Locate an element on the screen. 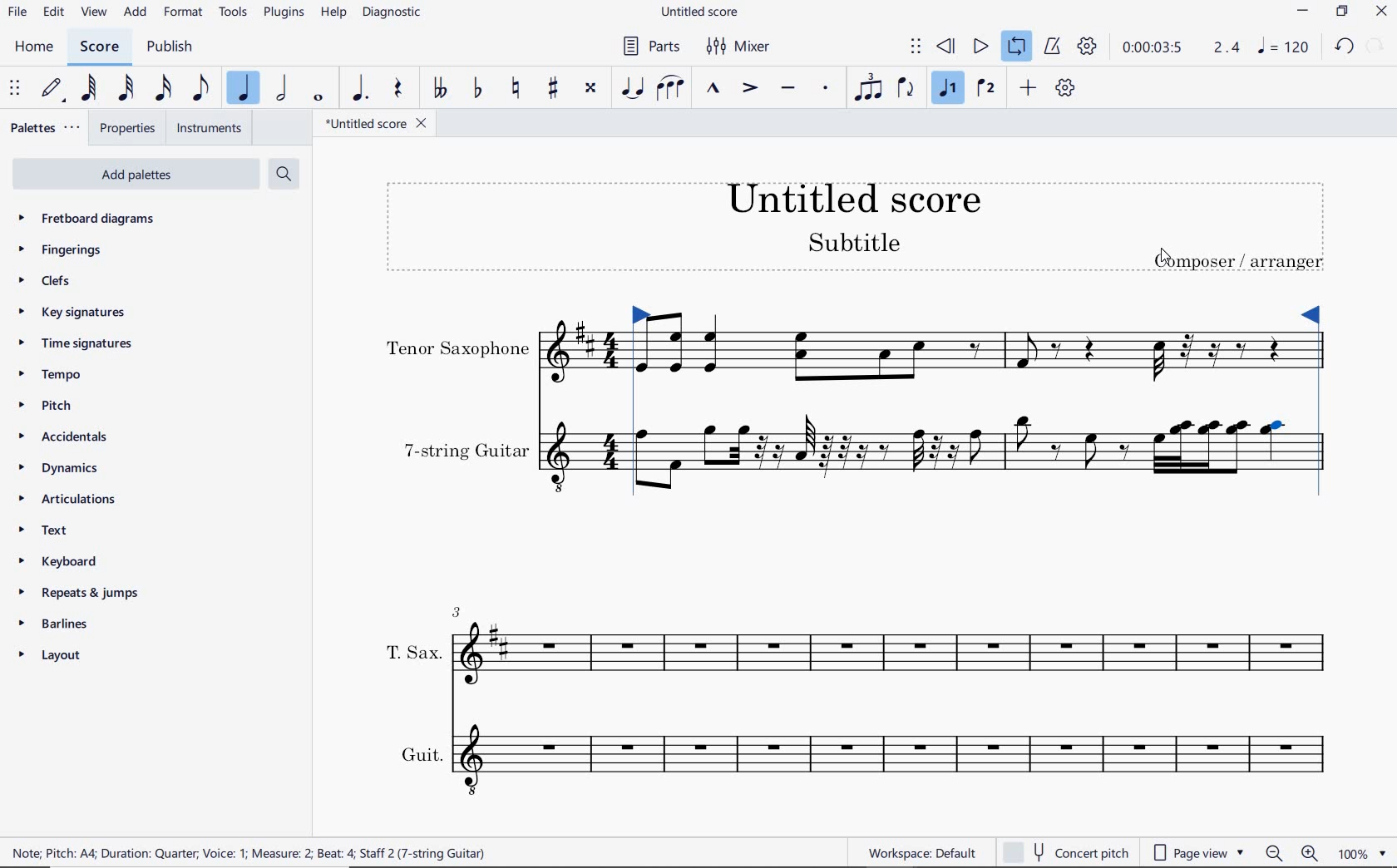 This screenshot has width=1397, height=868. concert pitch is located at coordinates (1064, 851).